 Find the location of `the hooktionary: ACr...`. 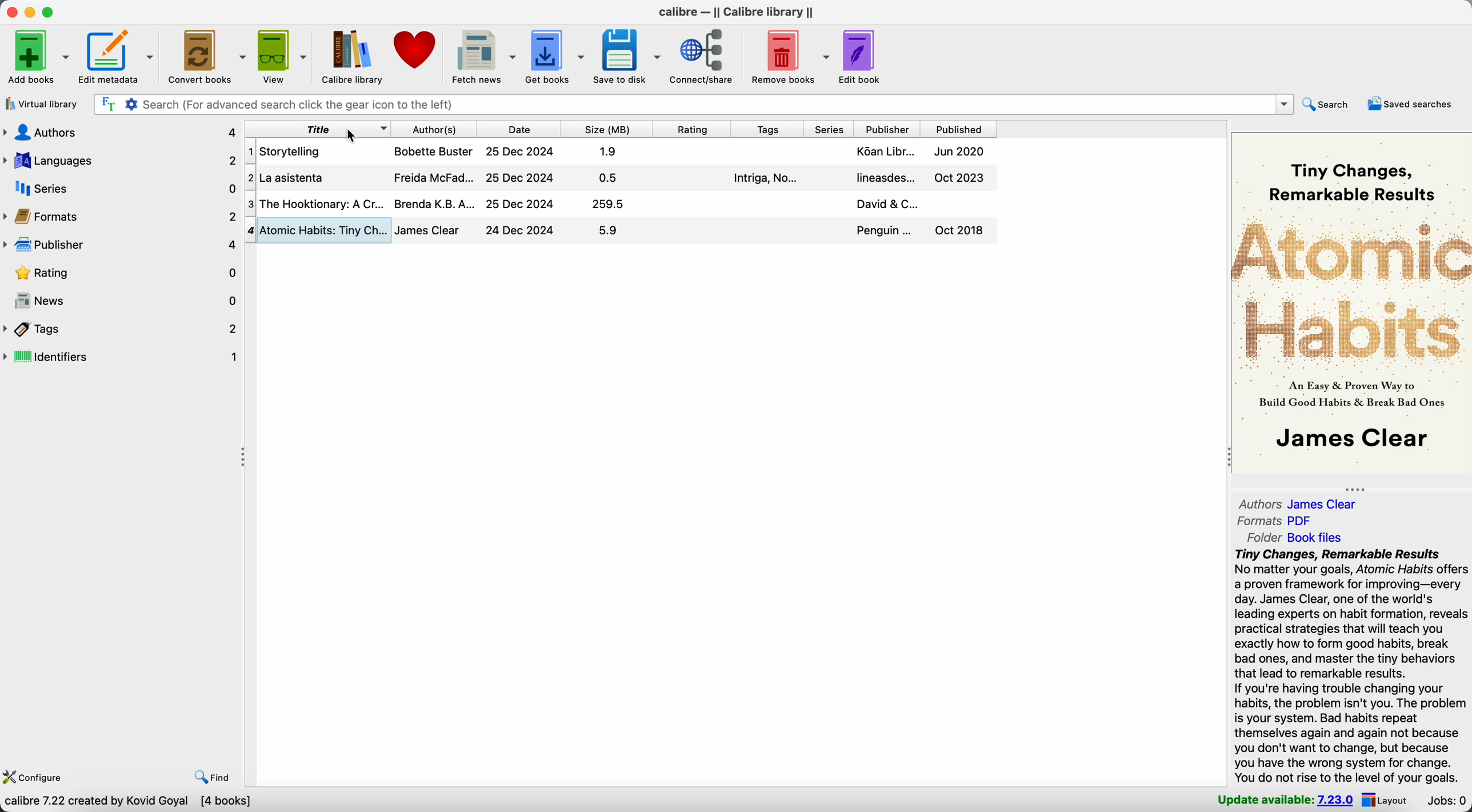

the hooktionary: ACr... is located at coordinates (324, 203).